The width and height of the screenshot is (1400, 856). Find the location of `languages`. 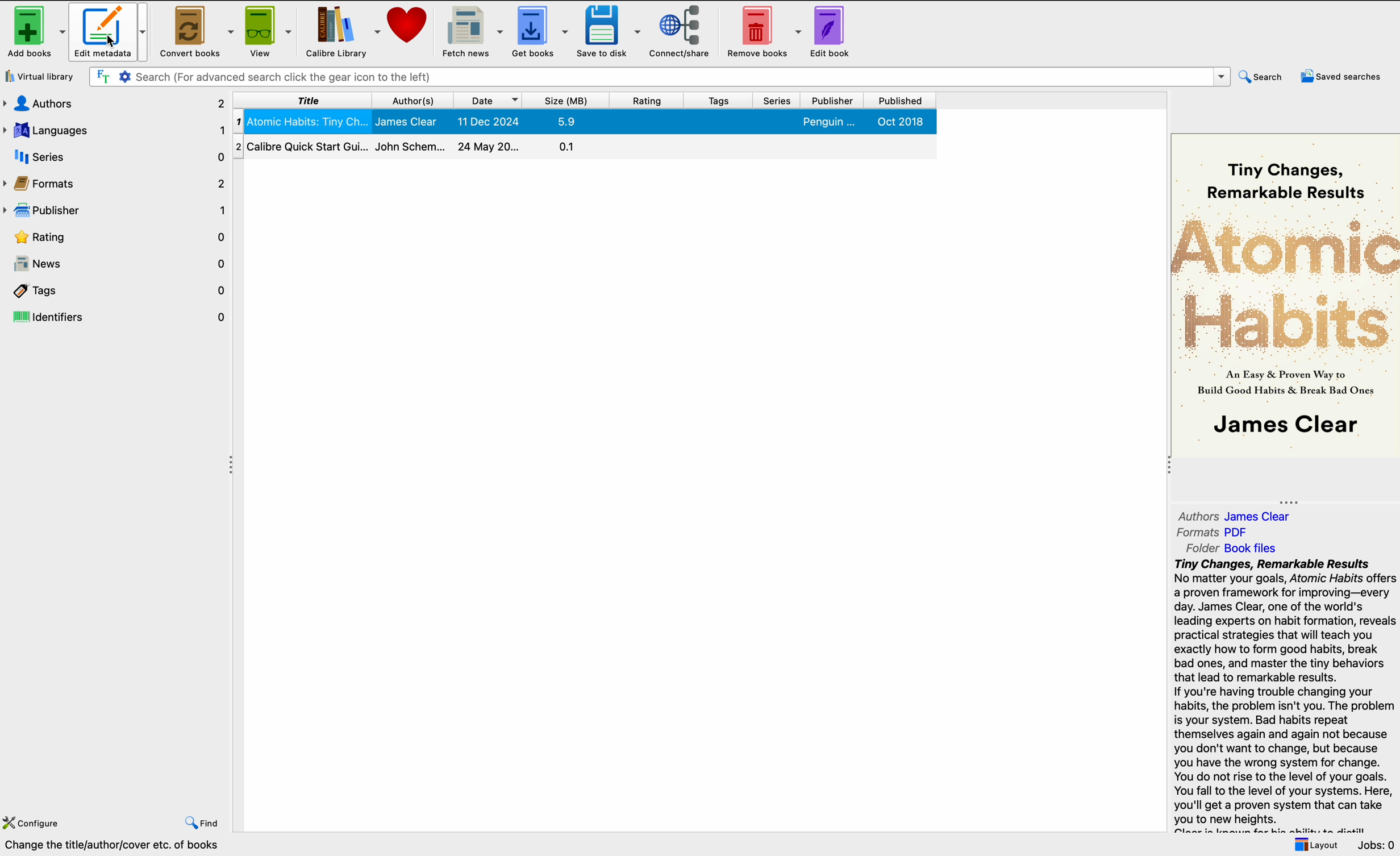

languages is located at coordinates (115, 128).